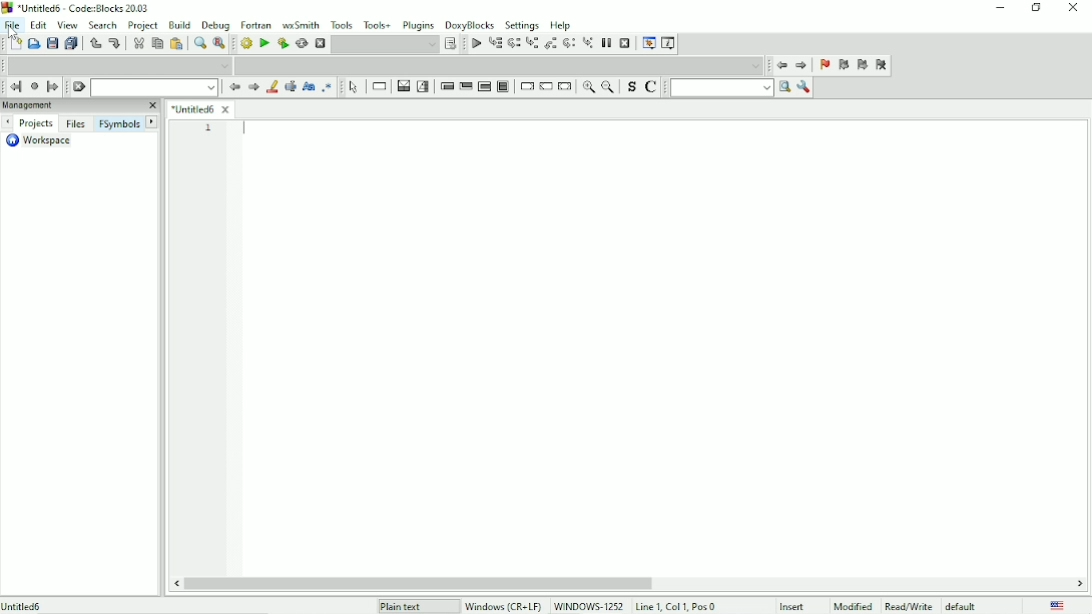  I want to click on Prev, so click(234, 88).